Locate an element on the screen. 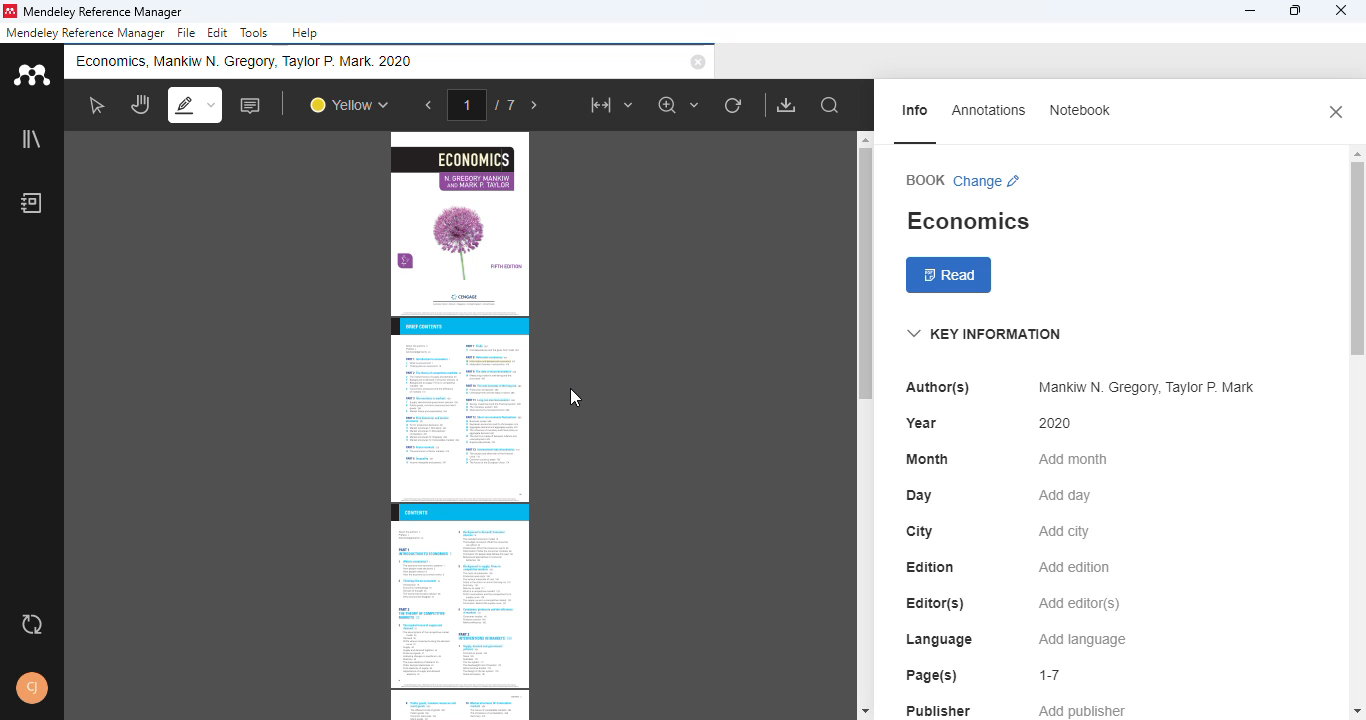 This screenshot has width=1366, height=720. select is located at coordinates (95, 105).